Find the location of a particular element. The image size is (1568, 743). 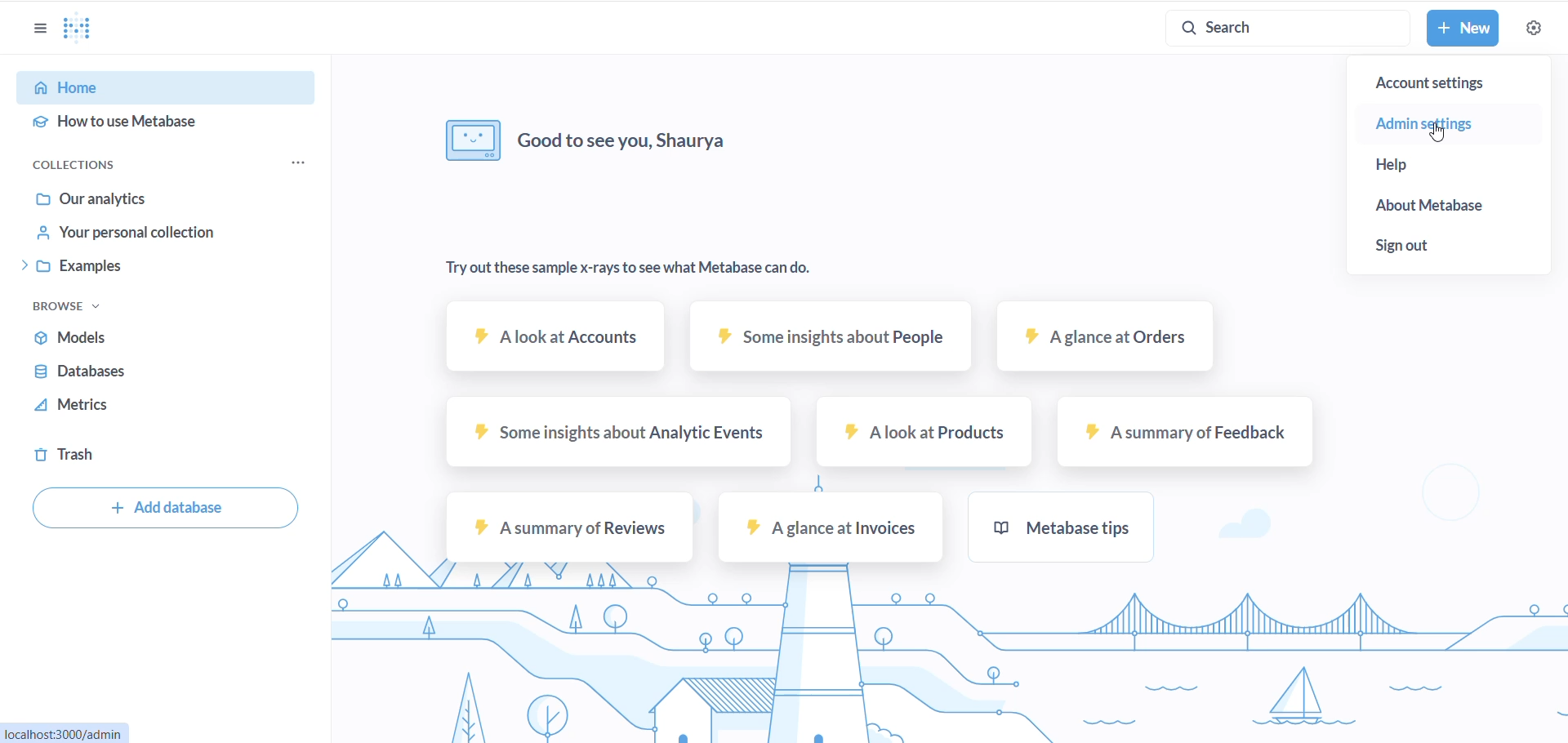

COLLECTIONS is located at coordinates (91, 163).